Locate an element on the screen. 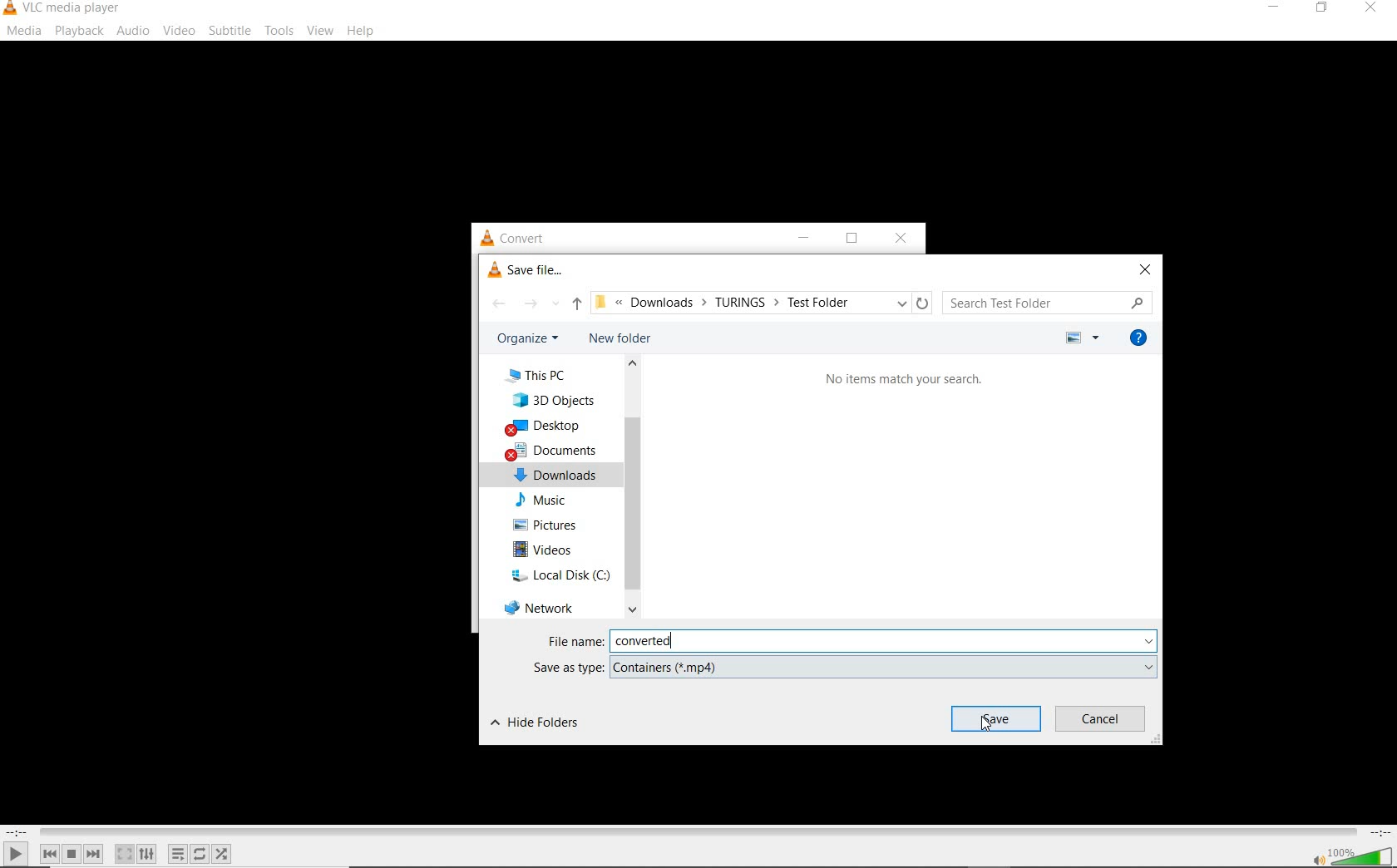  help is located at coordinates (361, 32).